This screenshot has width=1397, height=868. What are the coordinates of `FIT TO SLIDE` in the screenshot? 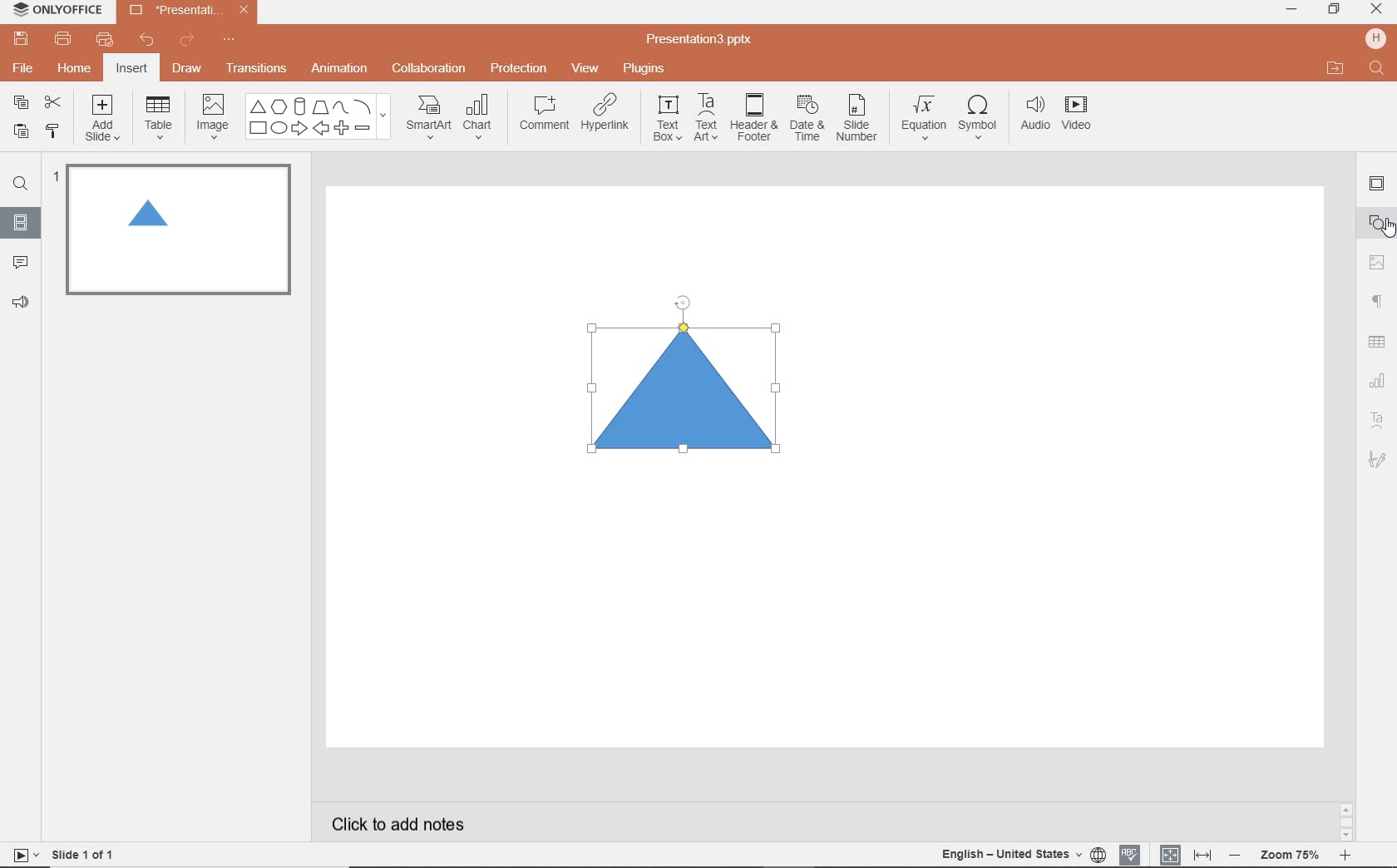 It's located at (1169, 856).